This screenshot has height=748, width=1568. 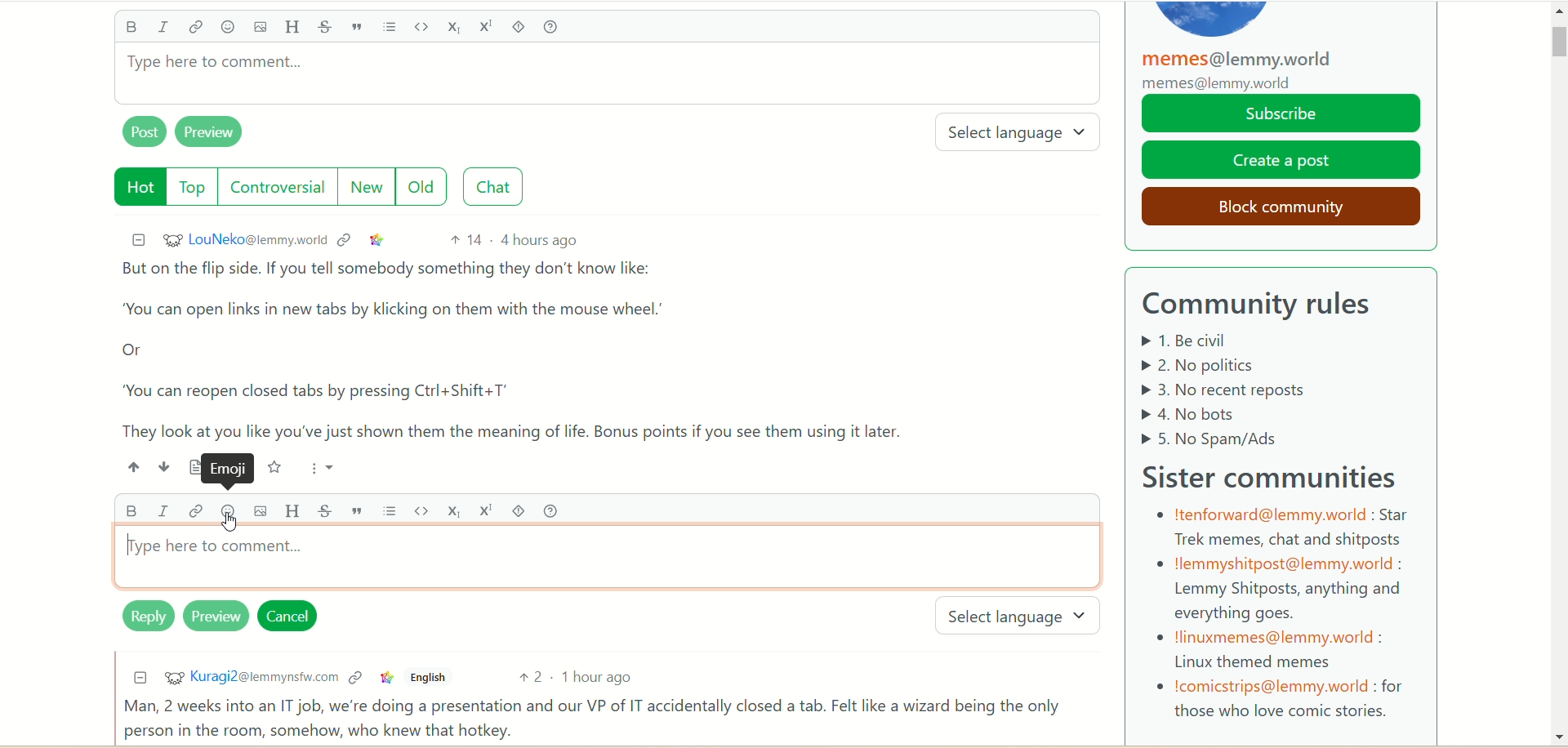 I want to click on link, so click(x=385, y=679).